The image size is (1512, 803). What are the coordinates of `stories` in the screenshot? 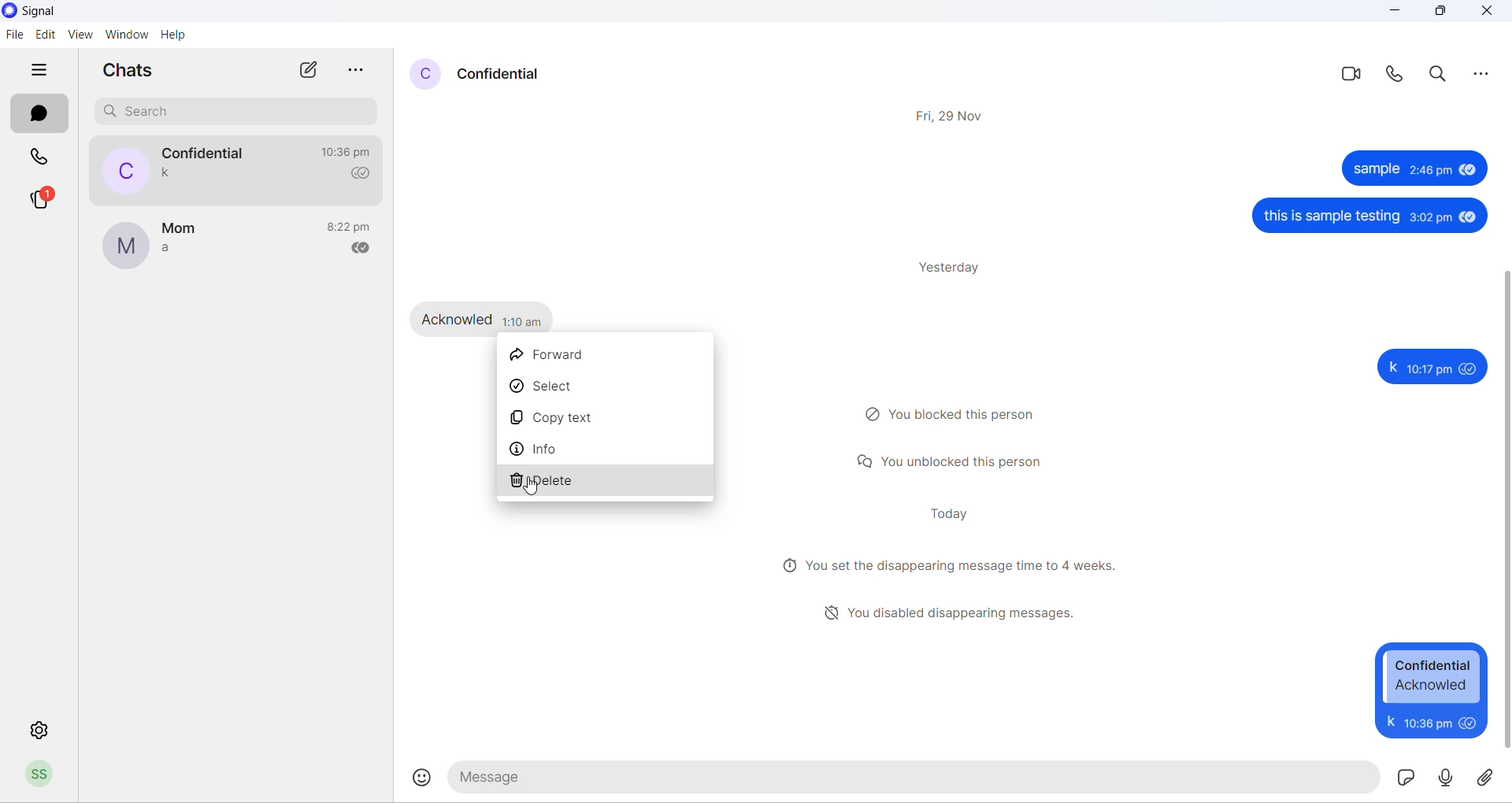 It's located at (42, 201).